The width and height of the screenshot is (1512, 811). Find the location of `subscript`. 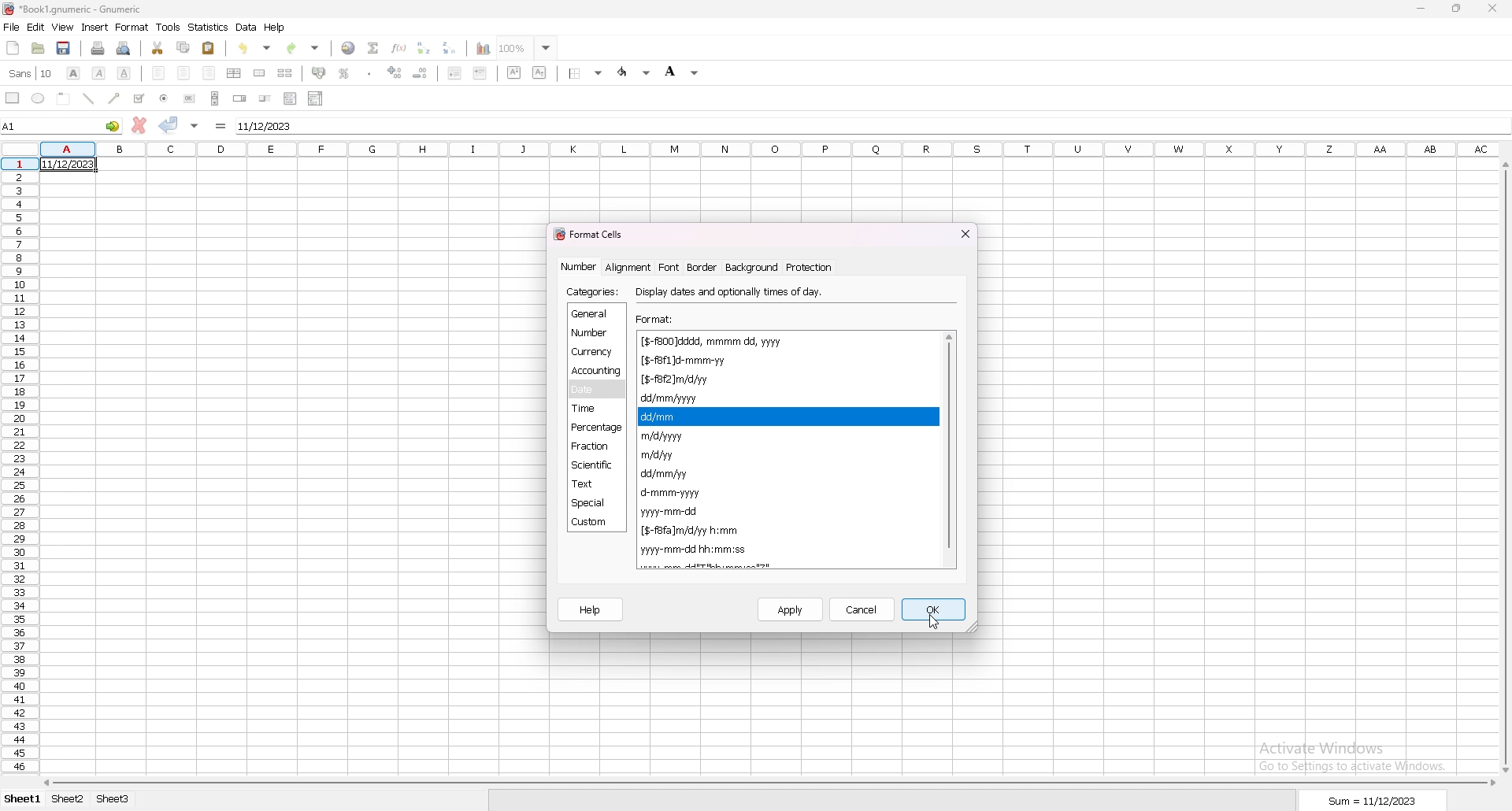

subscript is located at coordinates (539, 72).